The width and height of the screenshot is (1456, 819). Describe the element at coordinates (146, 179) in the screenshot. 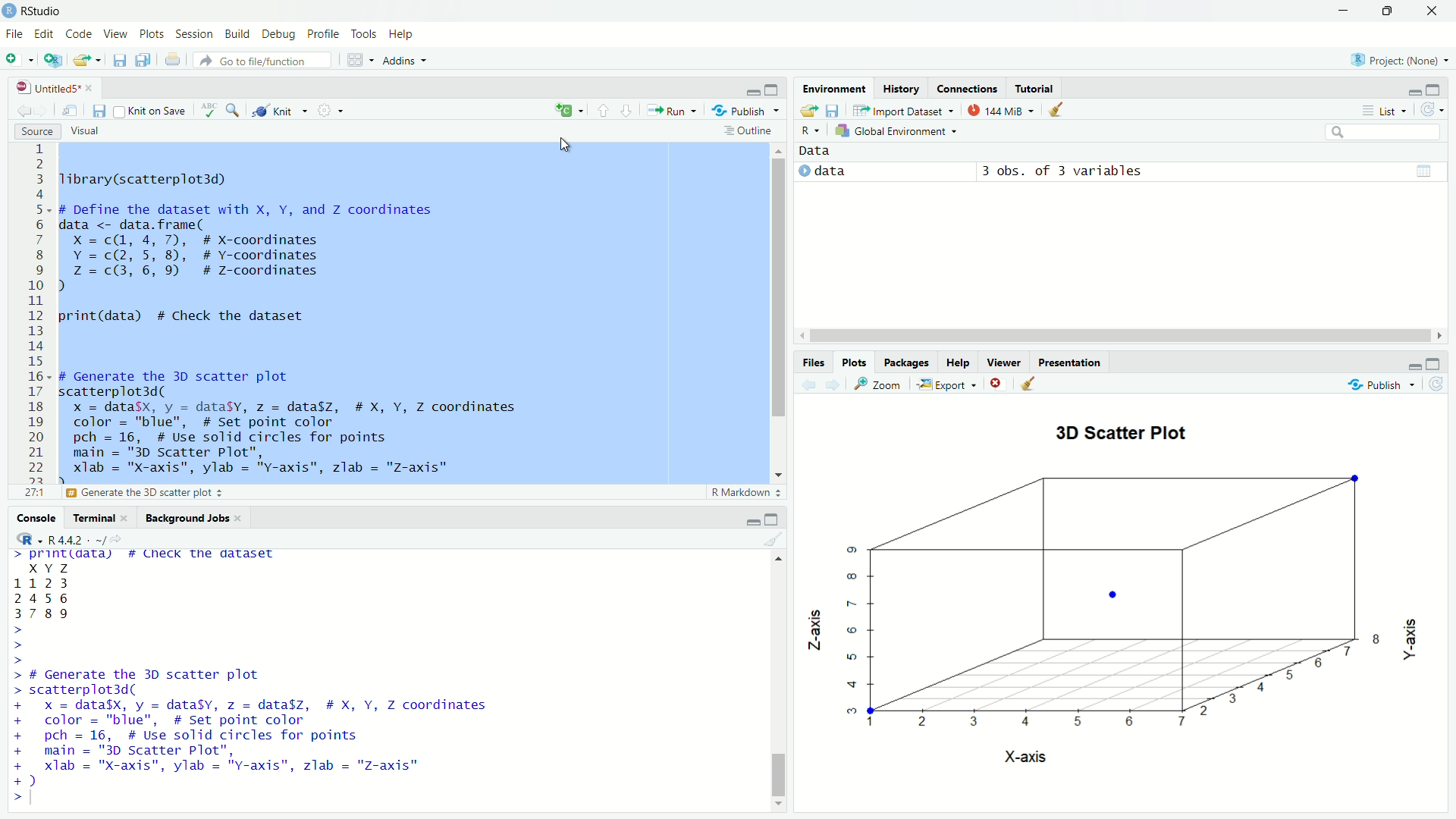

I see `library (scatterplot3d)` at that location.